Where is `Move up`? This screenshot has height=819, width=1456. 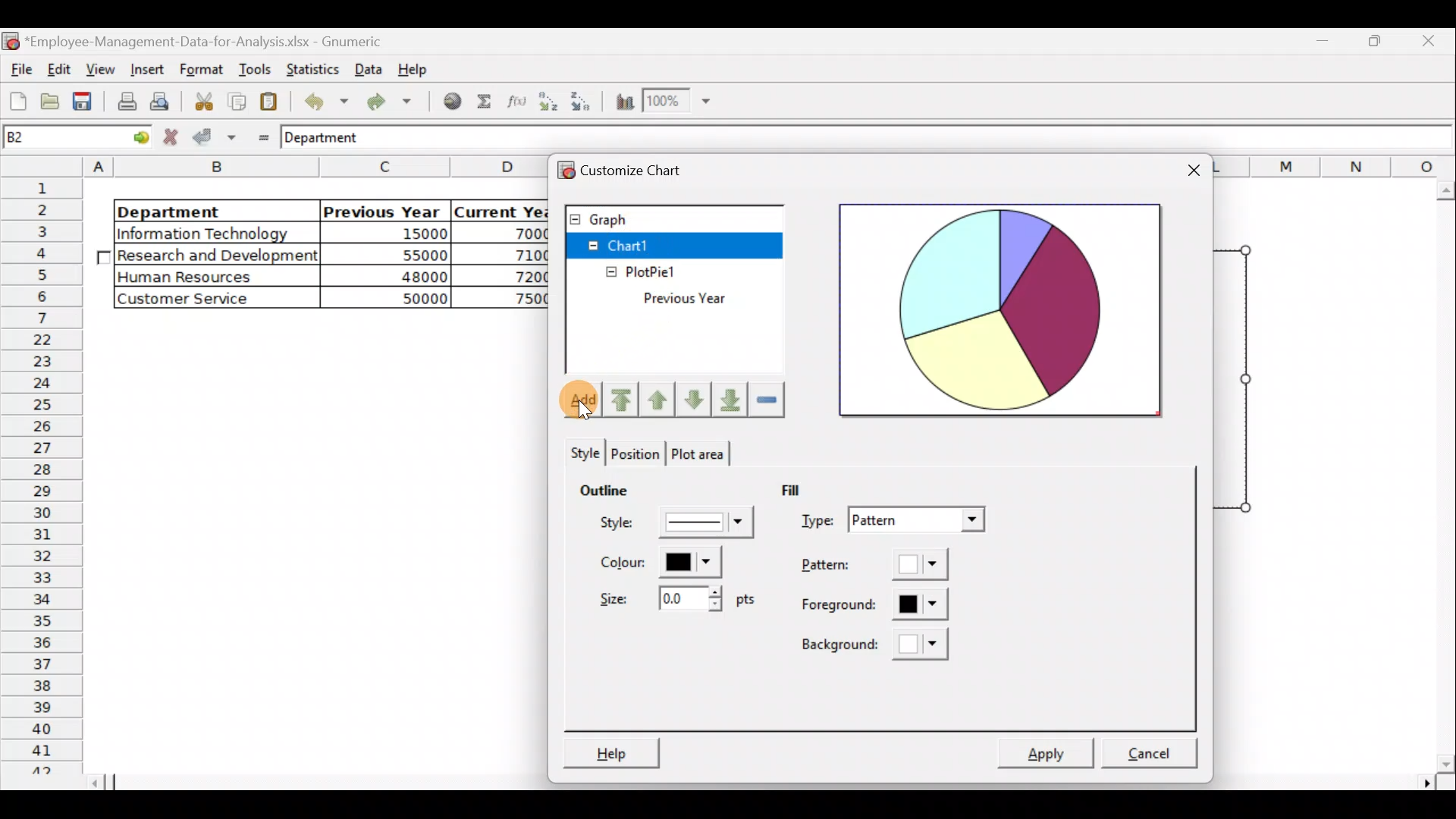
Move up is located at coordinates (660, 397).